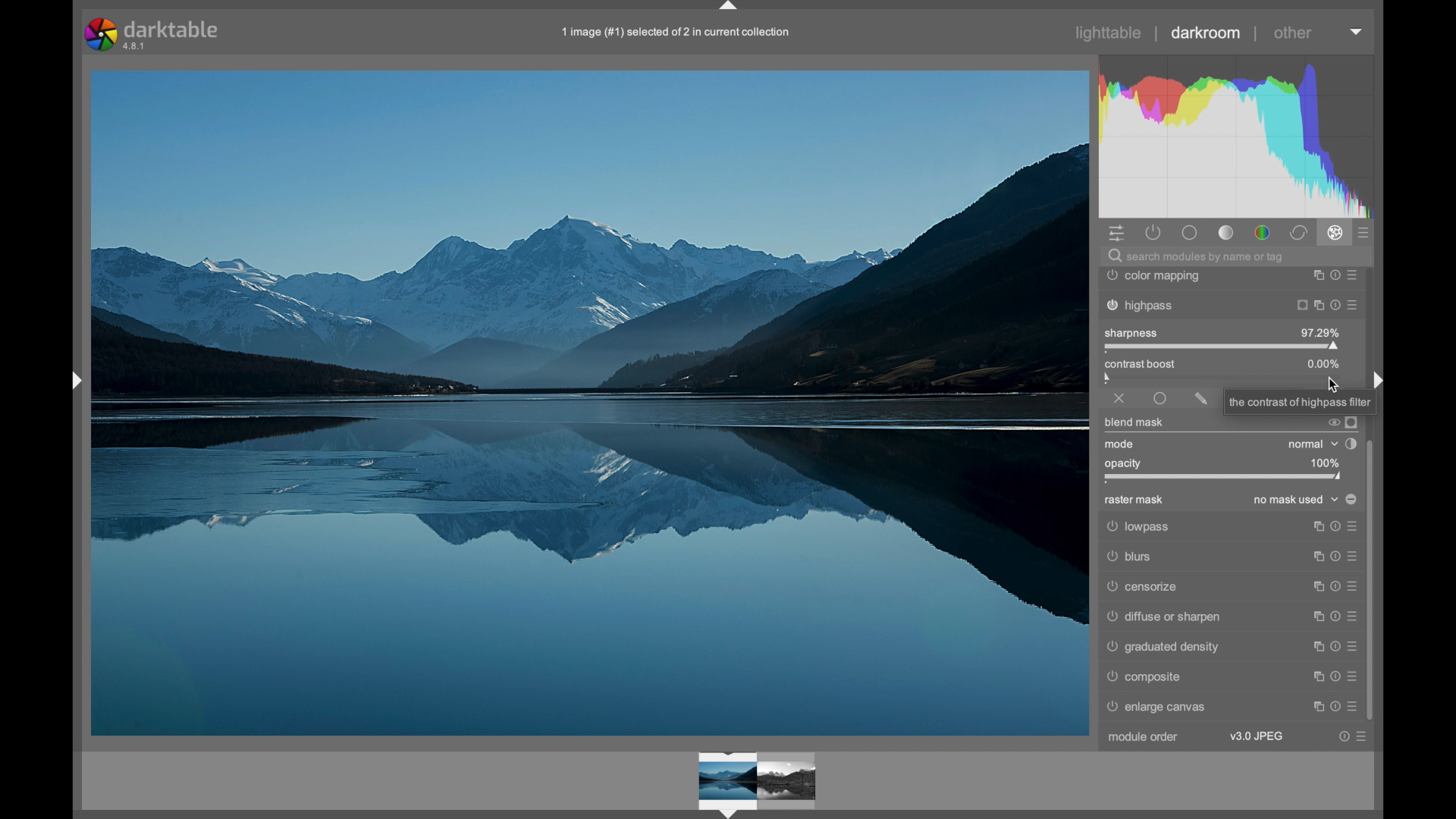 The height and width of the screenshot is (819, 1456). What do you see at coordinates (1263, 234) in the screenshot?
I see `color` at bounding box center [1263, 234].